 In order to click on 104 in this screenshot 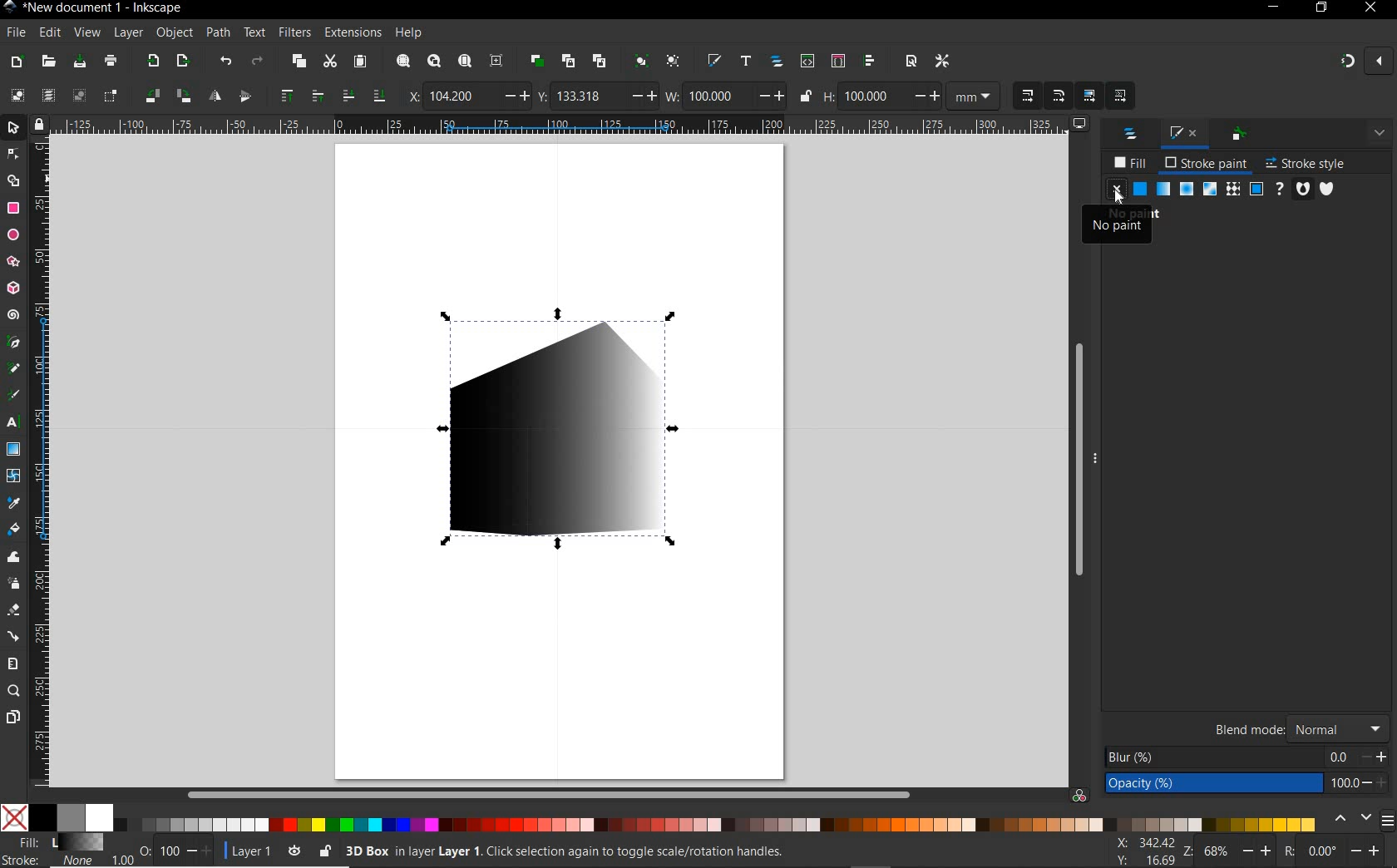, I will do `click(459, 98)`.